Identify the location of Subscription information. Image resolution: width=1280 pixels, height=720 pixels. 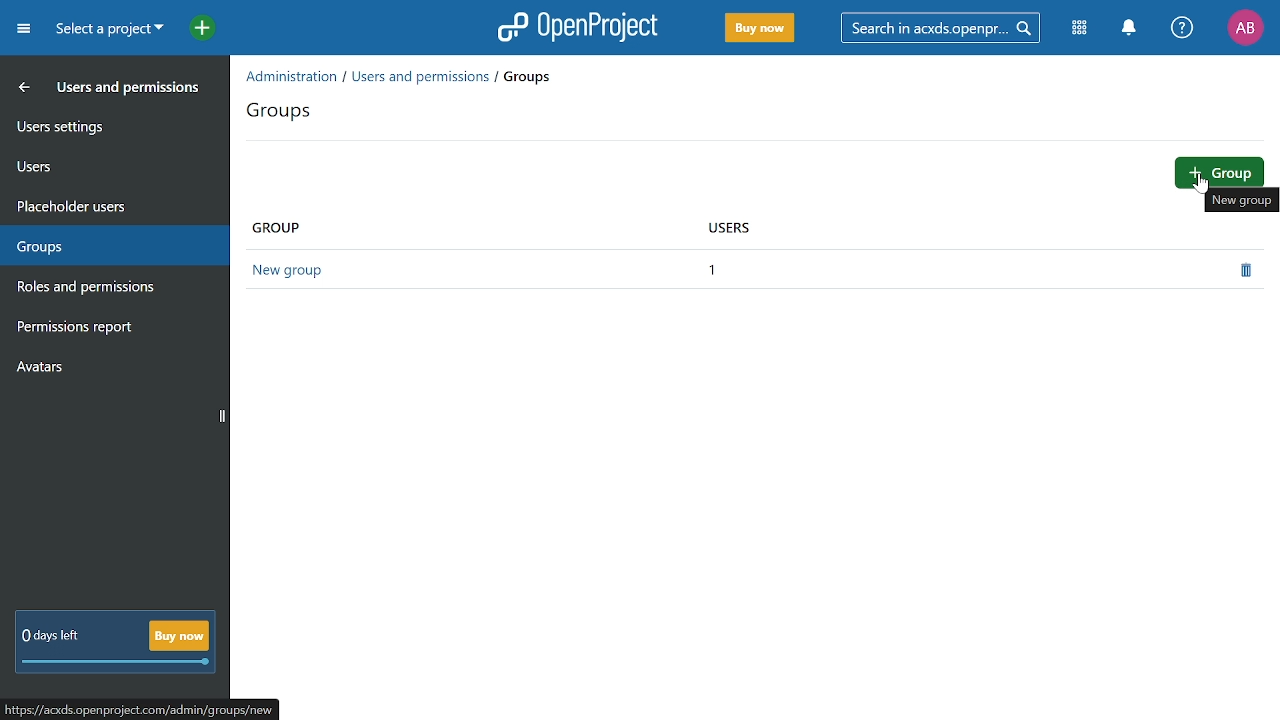
(48, 637).